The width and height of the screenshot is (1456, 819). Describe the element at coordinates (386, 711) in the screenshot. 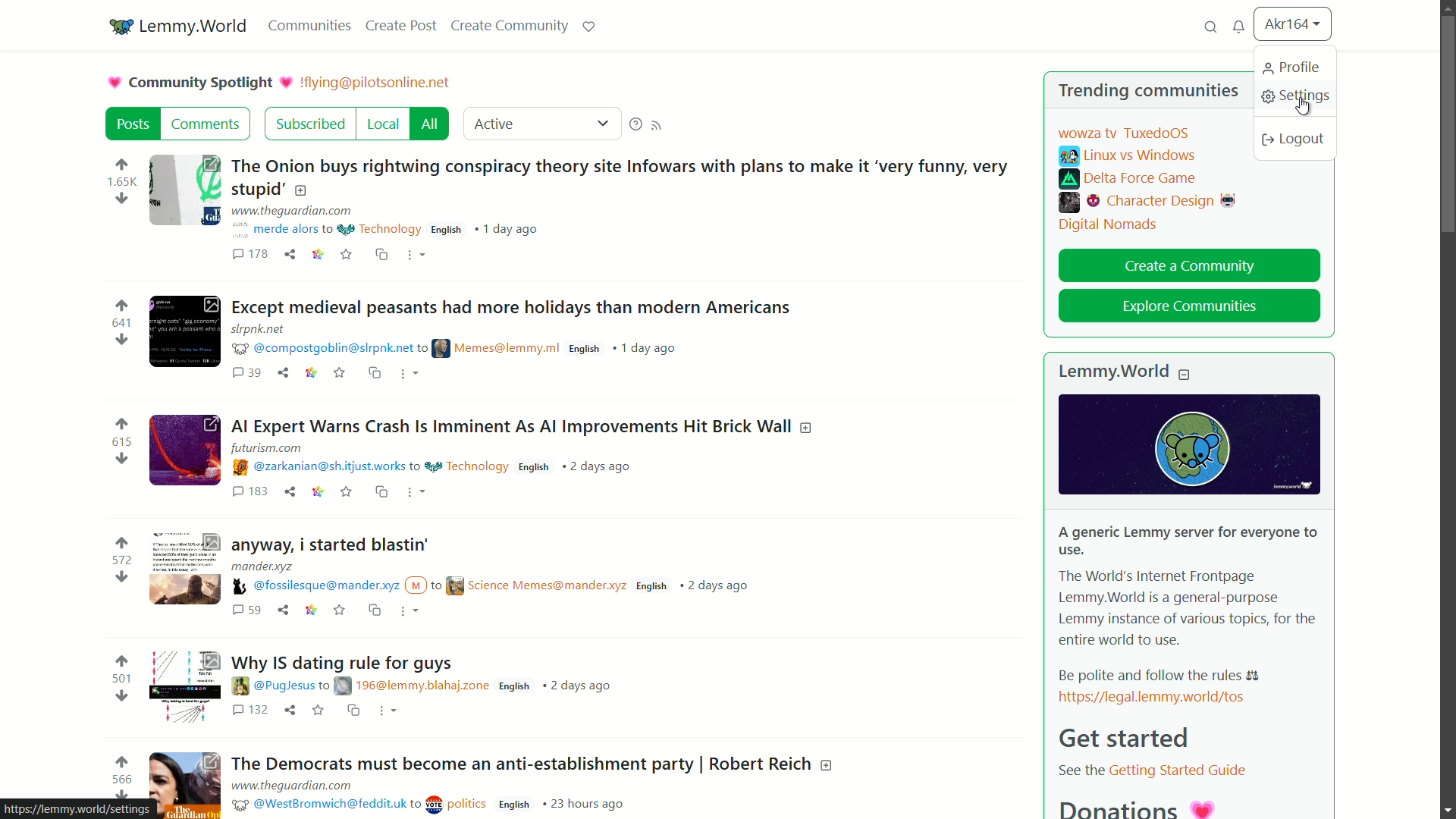

I see `more` at that location.